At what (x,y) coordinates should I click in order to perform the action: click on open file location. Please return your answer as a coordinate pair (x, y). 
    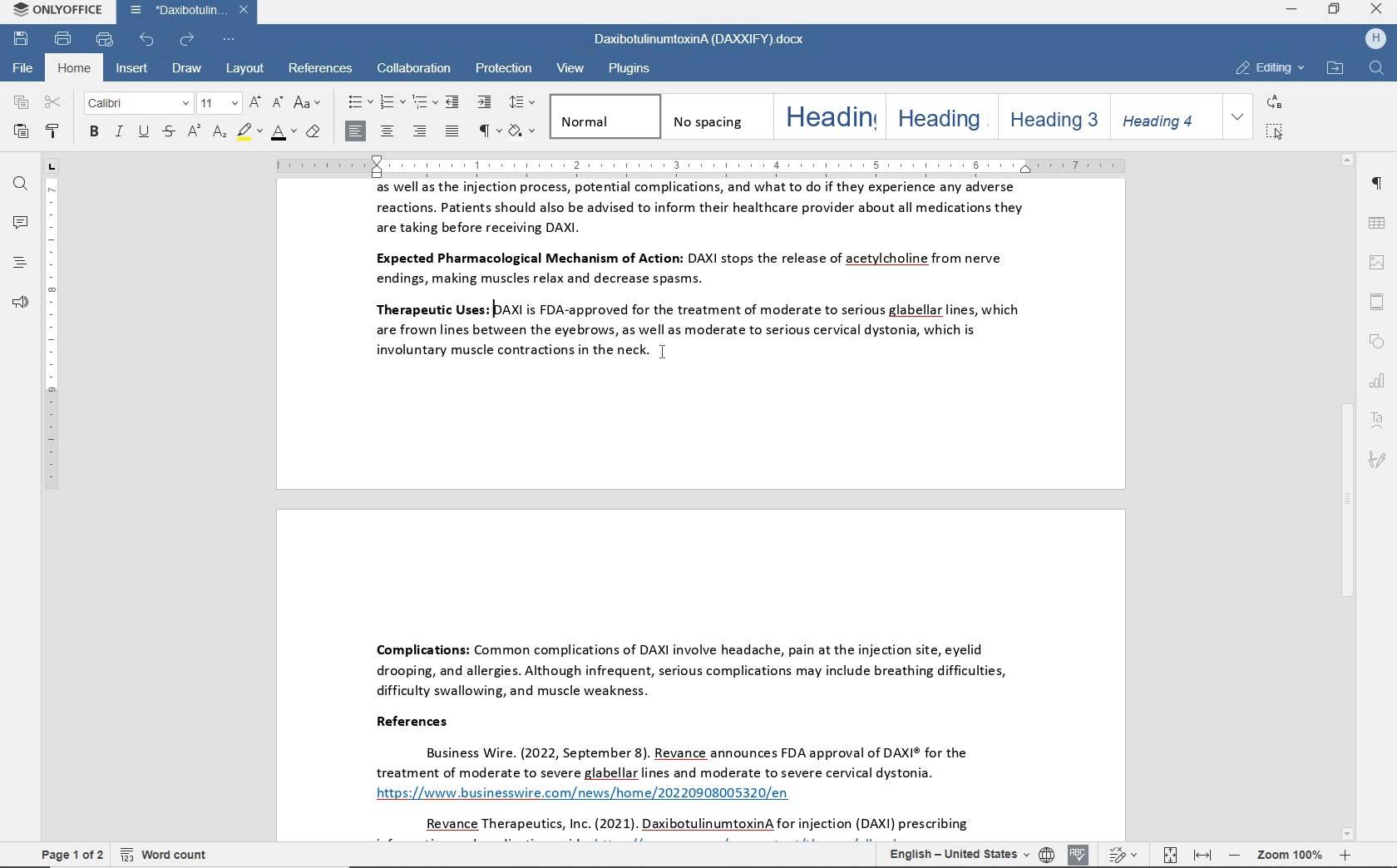
    Looking at the image, I should click on (1335, 69).